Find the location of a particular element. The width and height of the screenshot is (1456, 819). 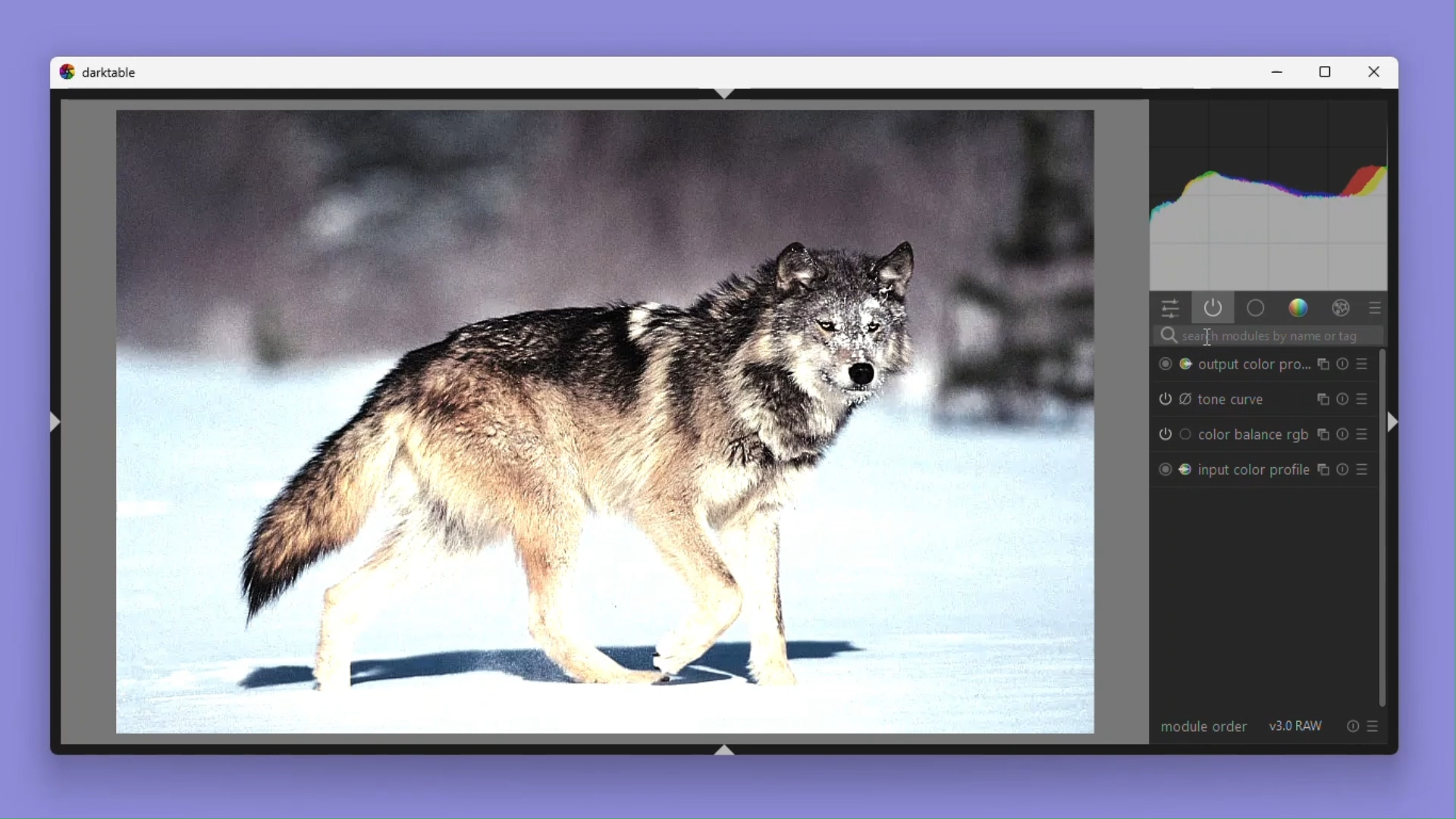

v 3.0 RAW is located at coordinates (1298, 726).